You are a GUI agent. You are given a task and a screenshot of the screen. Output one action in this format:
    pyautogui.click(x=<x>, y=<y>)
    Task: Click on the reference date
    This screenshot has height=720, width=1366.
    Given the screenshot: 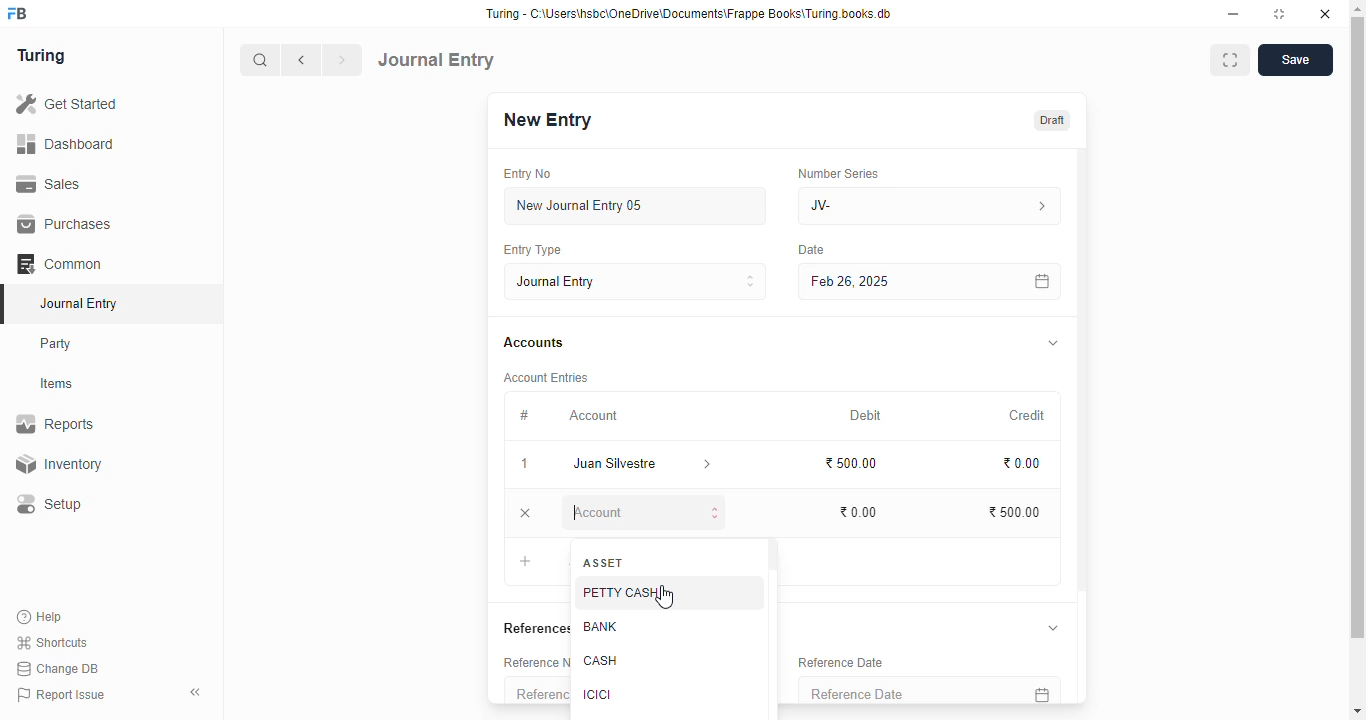 What is the action you would take?
    pyautogui.click(x=838, y=662)
    